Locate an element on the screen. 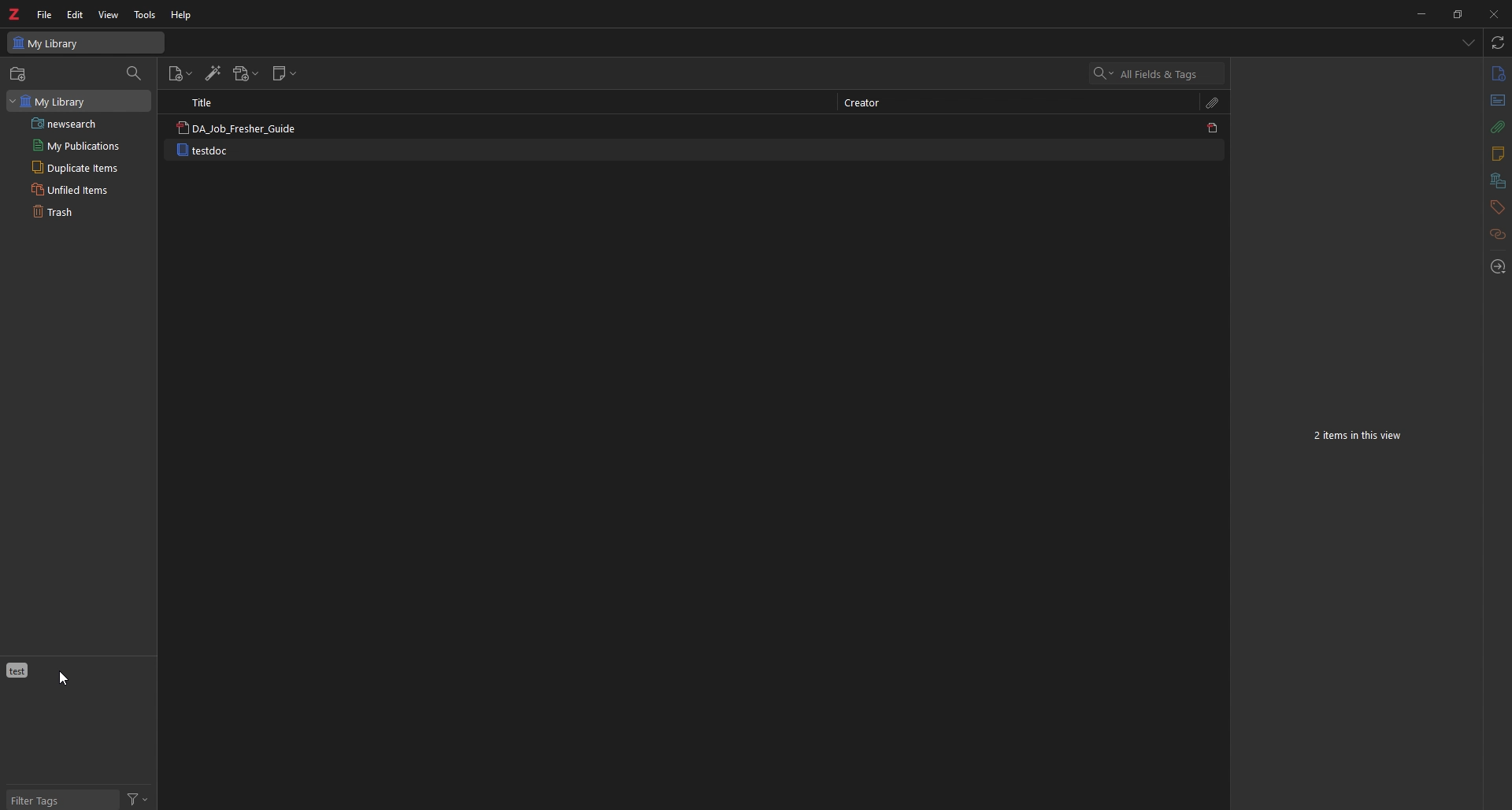  edit is located at coordinates (76, 15).